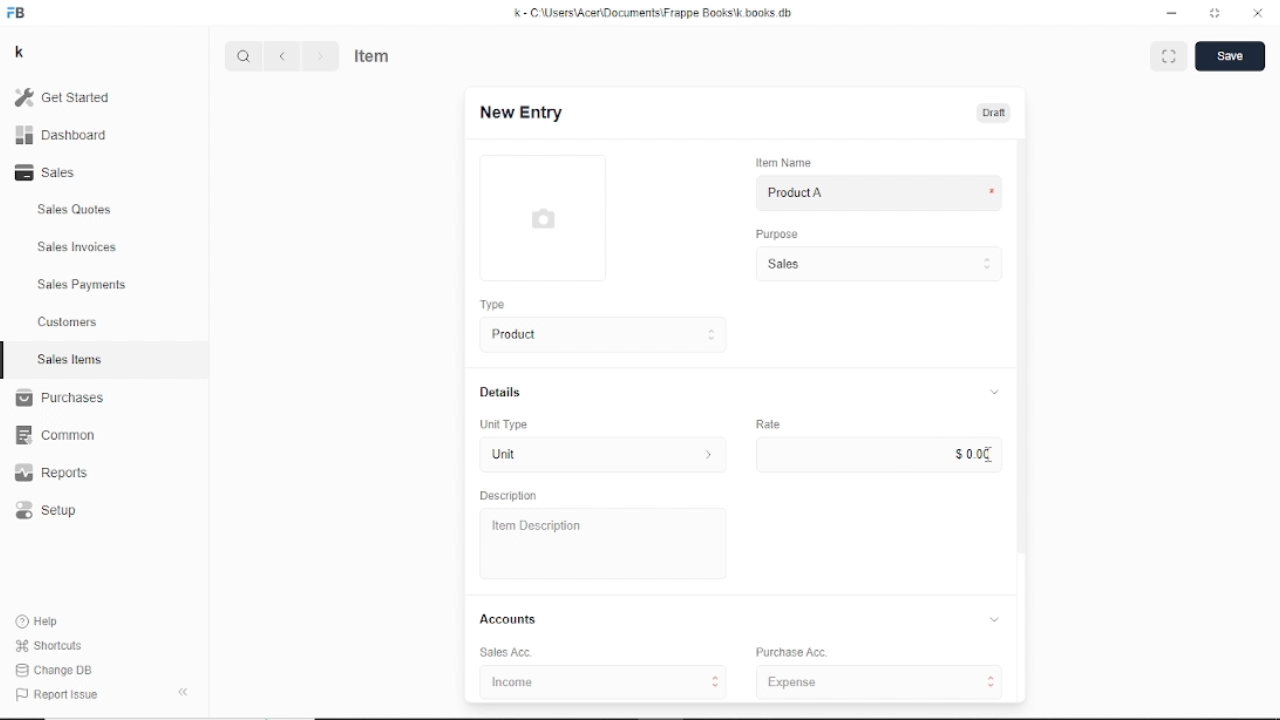 This screenshot has height=720, width=1280. What do you see at coordinates (41, 621) in the screenshot?
I see `Help` at bounding box center [41, 621].